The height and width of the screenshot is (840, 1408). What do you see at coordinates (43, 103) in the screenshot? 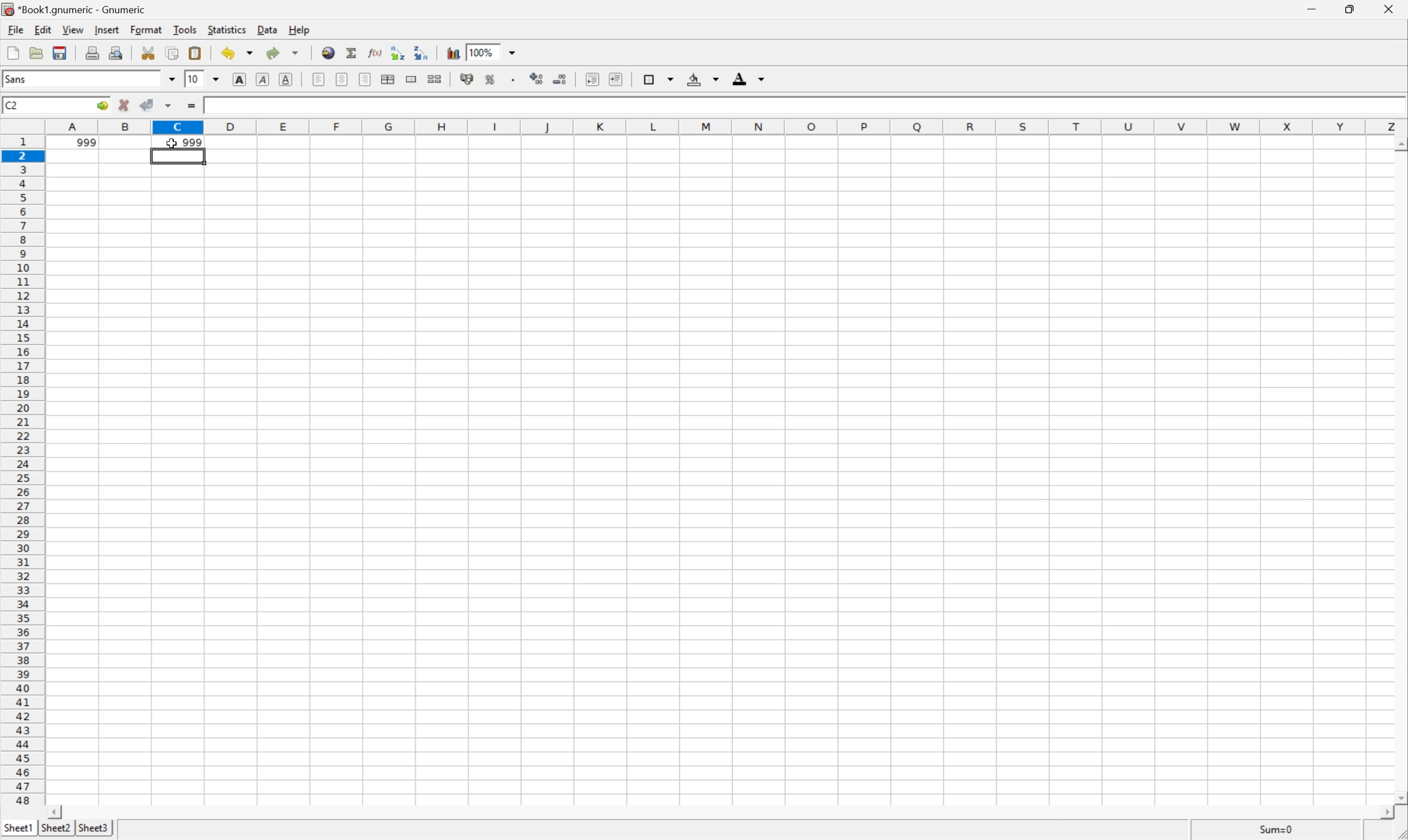
I see `Cell name C2` at bounding box center [43, 103].